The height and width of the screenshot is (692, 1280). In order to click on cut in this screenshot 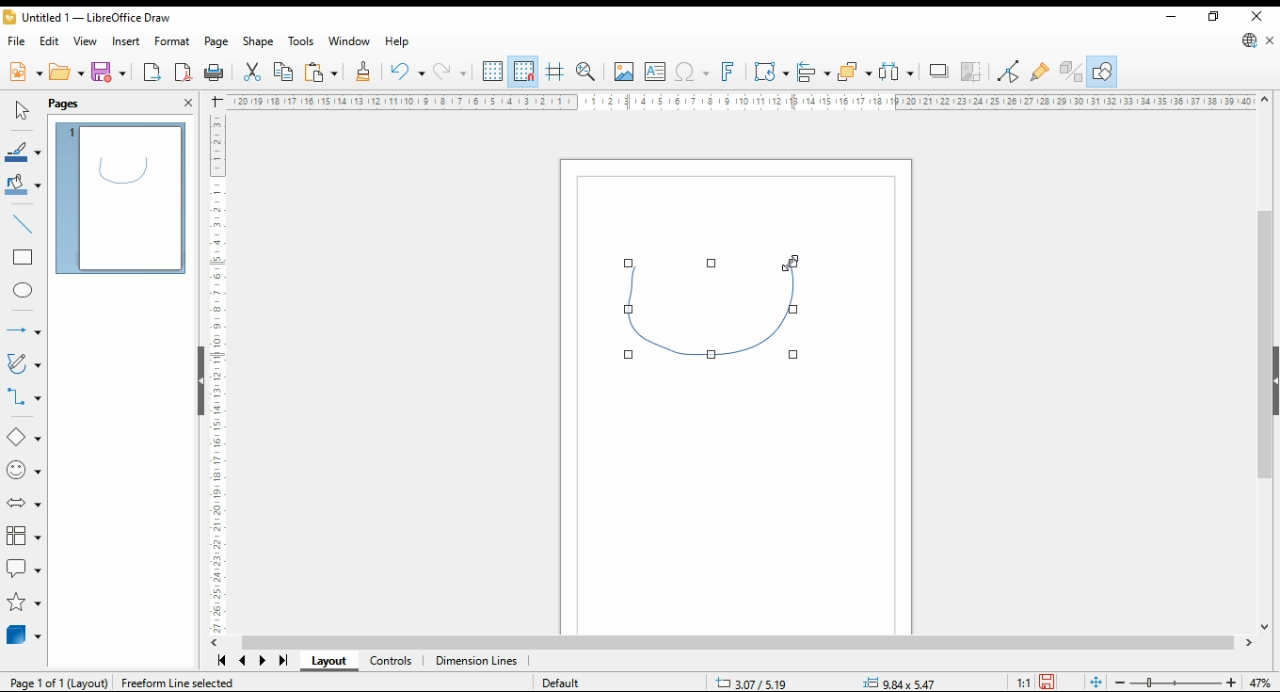, I will do `click(251, 73)`.